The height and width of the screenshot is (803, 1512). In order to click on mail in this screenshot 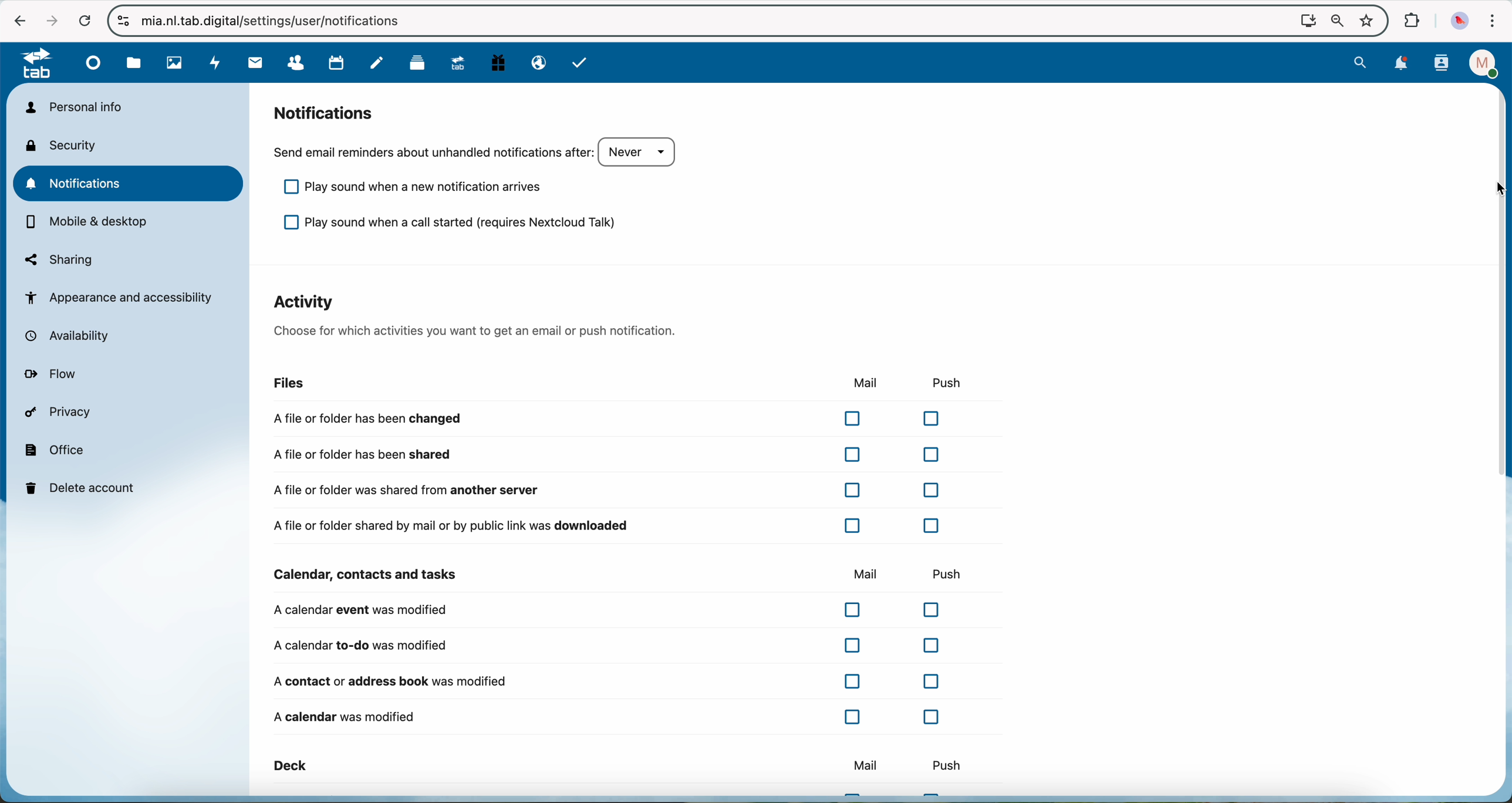, I will do `click(860, 383)`.